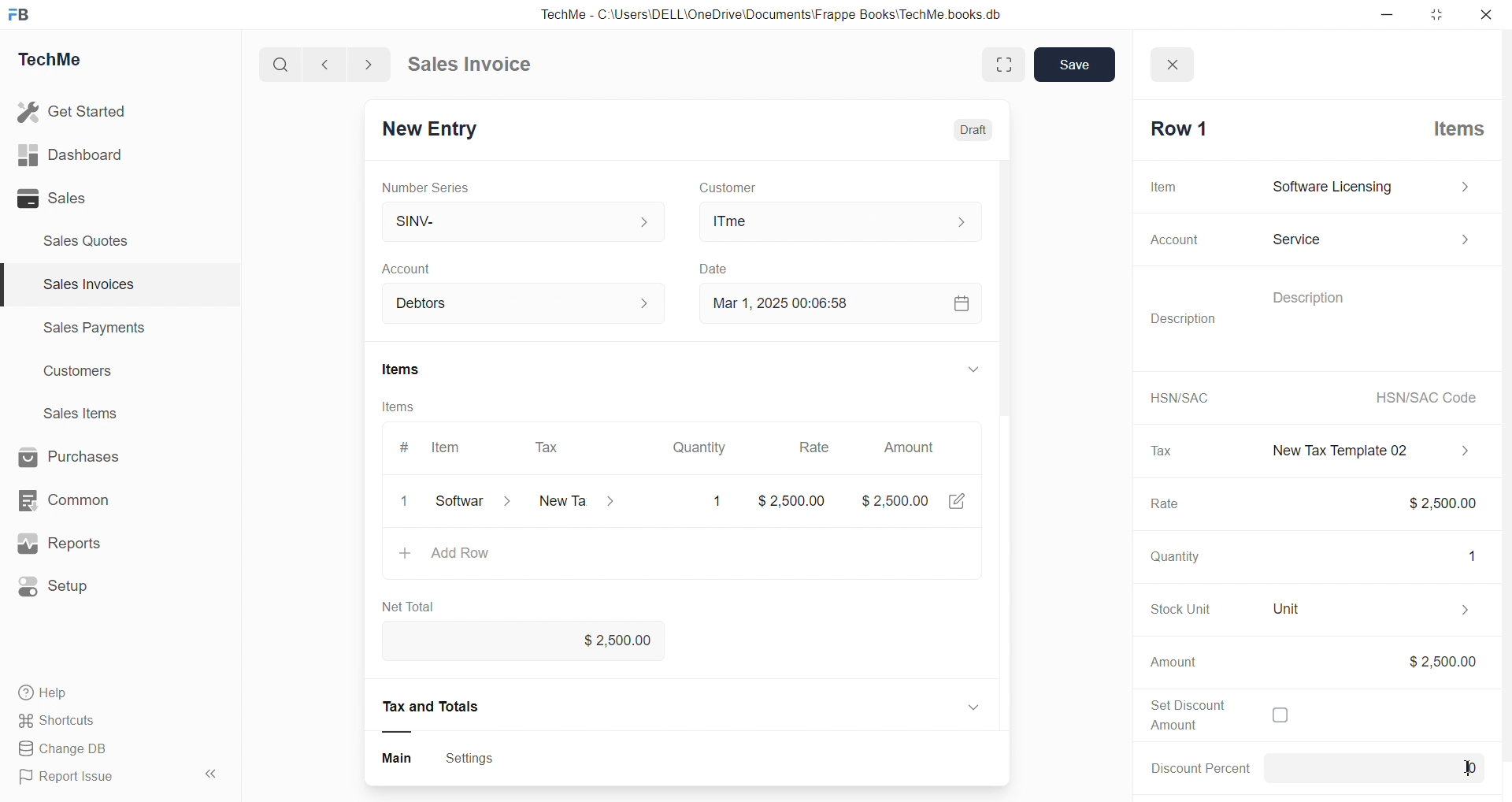 This screenshot has height=802, width=1512. Describe the element at coordinates (1367, 188) in the screenshot. I see `Software Licensing >` at that location.